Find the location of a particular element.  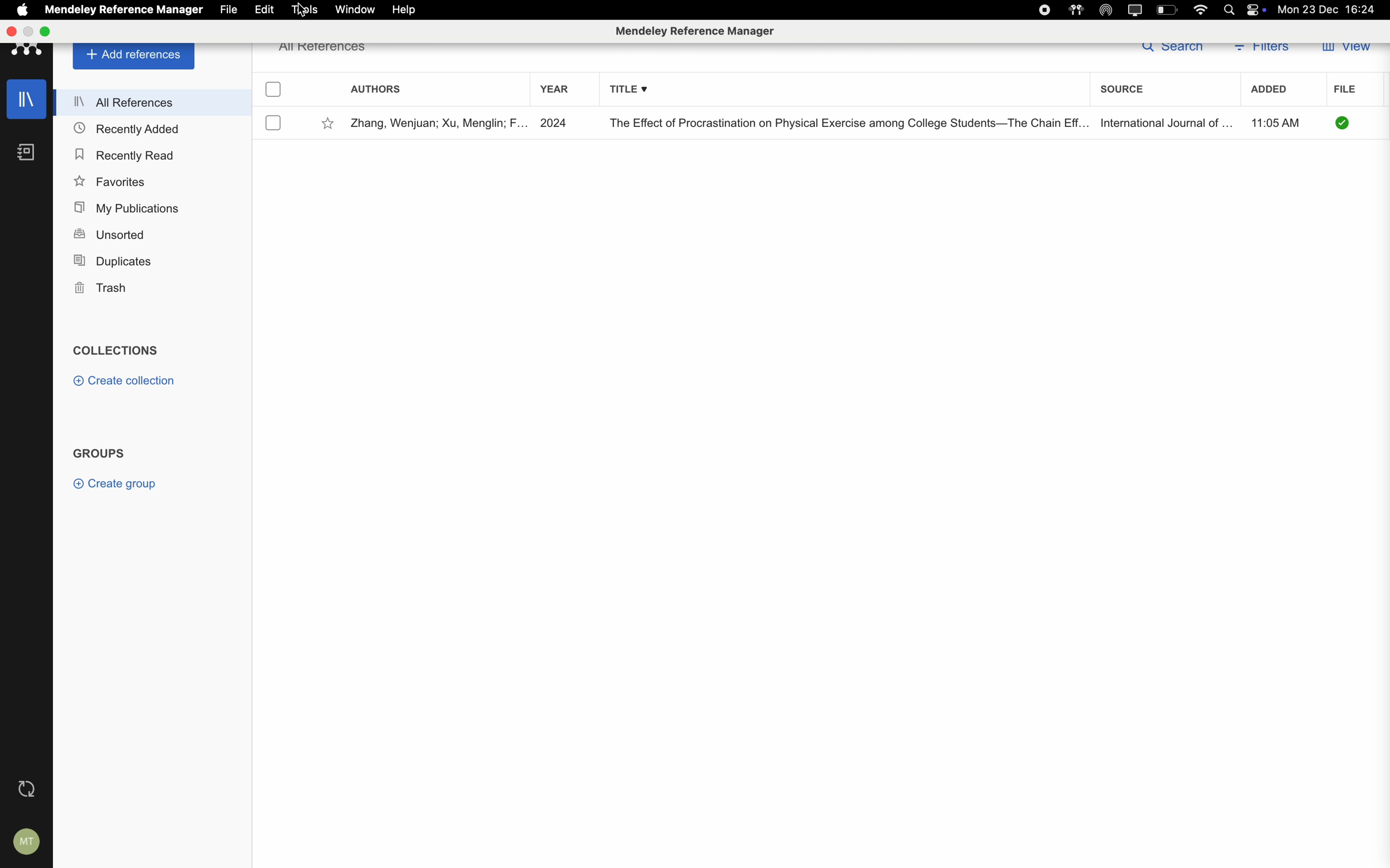

account settings is located at coordinates (29, 842).